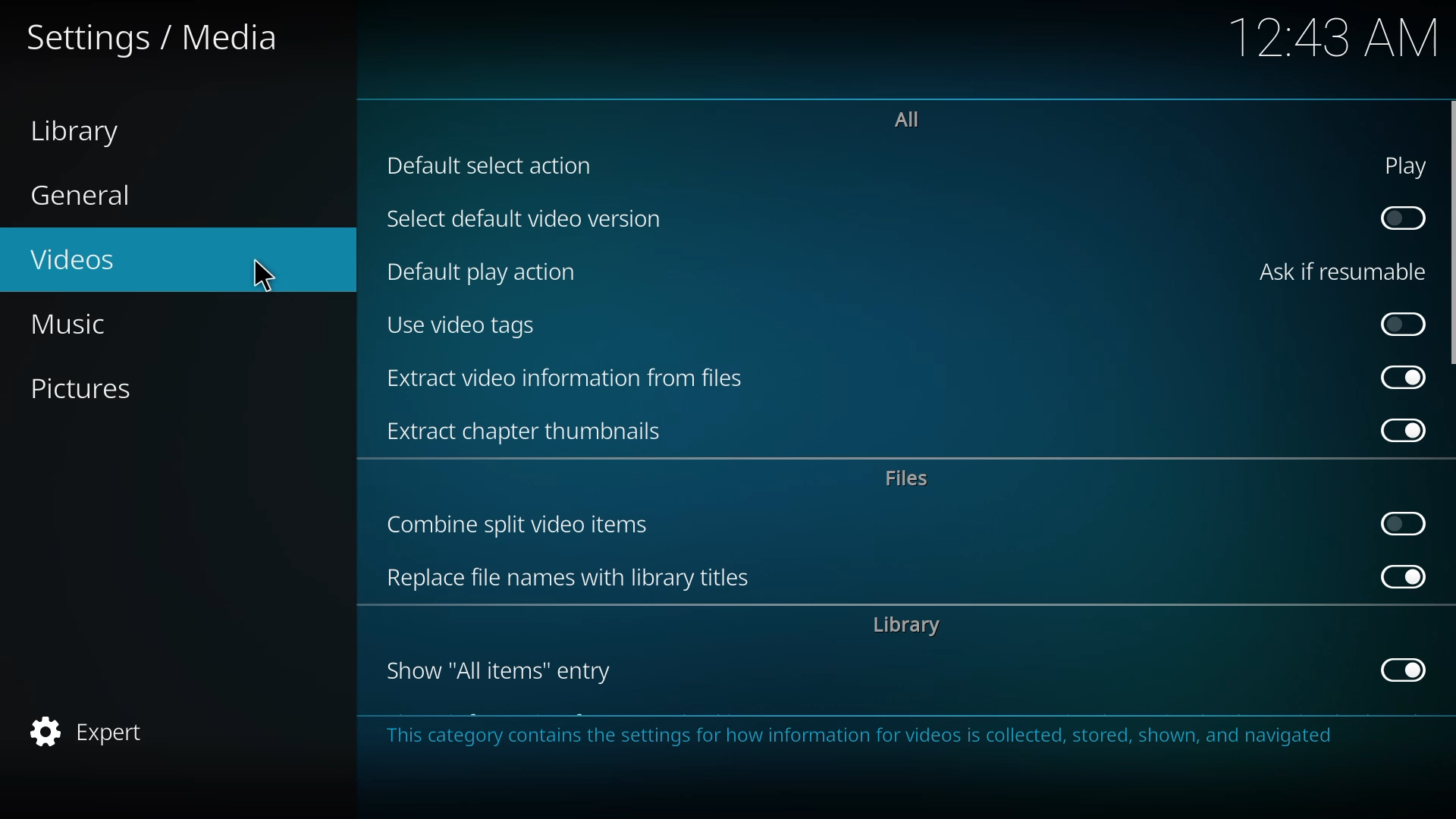 This screenshot has height=819, width=1456. What do you see at coordinates (524, 527) in the screenshot?
I see `combine split video items` at bounding box center [524, 527].